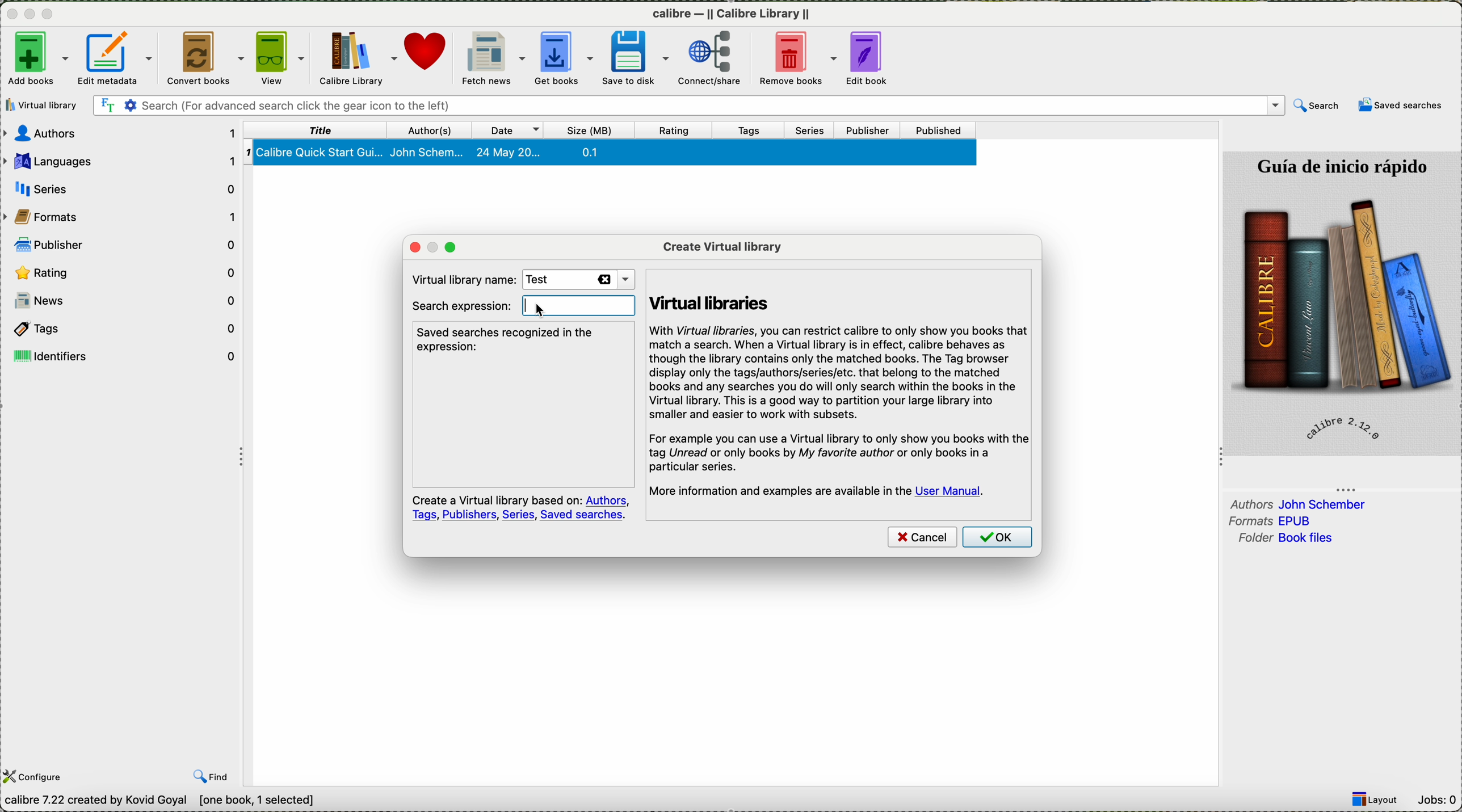  What do you see at coordinates (44, 105) in the screenshot?
I see `click on virtual library` at bounding box center [44, 105].